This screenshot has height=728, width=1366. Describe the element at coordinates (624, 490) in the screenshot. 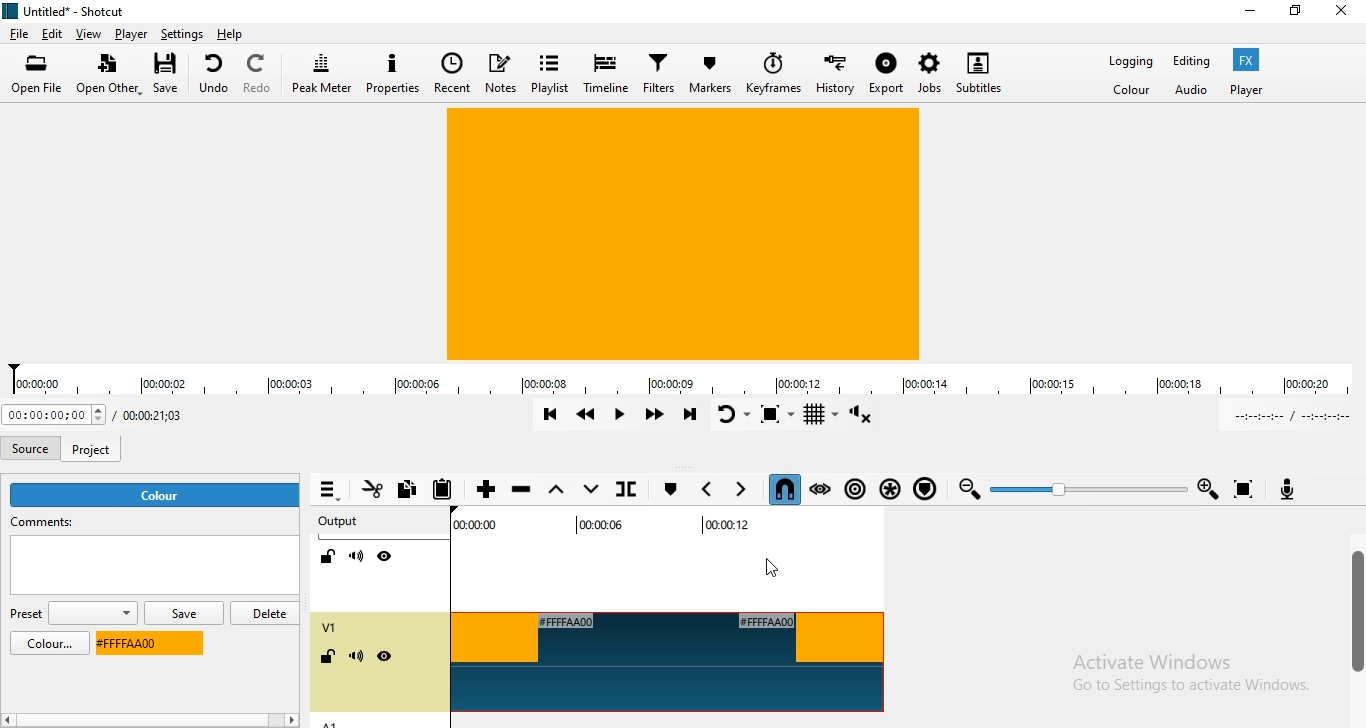

I see `Split at playhead` at that location.